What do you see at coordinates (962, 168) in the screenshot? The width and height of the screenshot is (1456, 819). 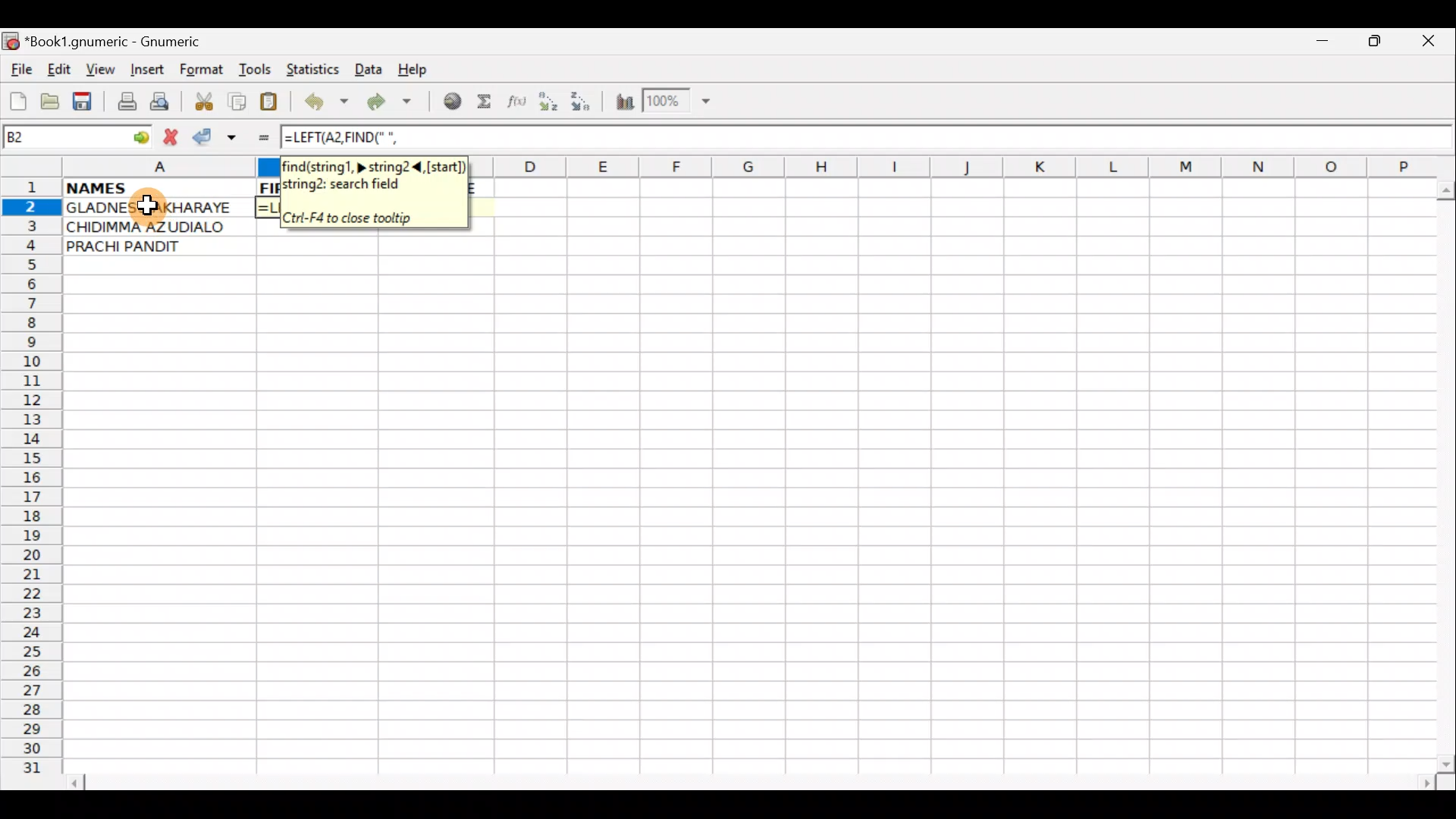 I see `Columns` at bounding box center [962, 168].